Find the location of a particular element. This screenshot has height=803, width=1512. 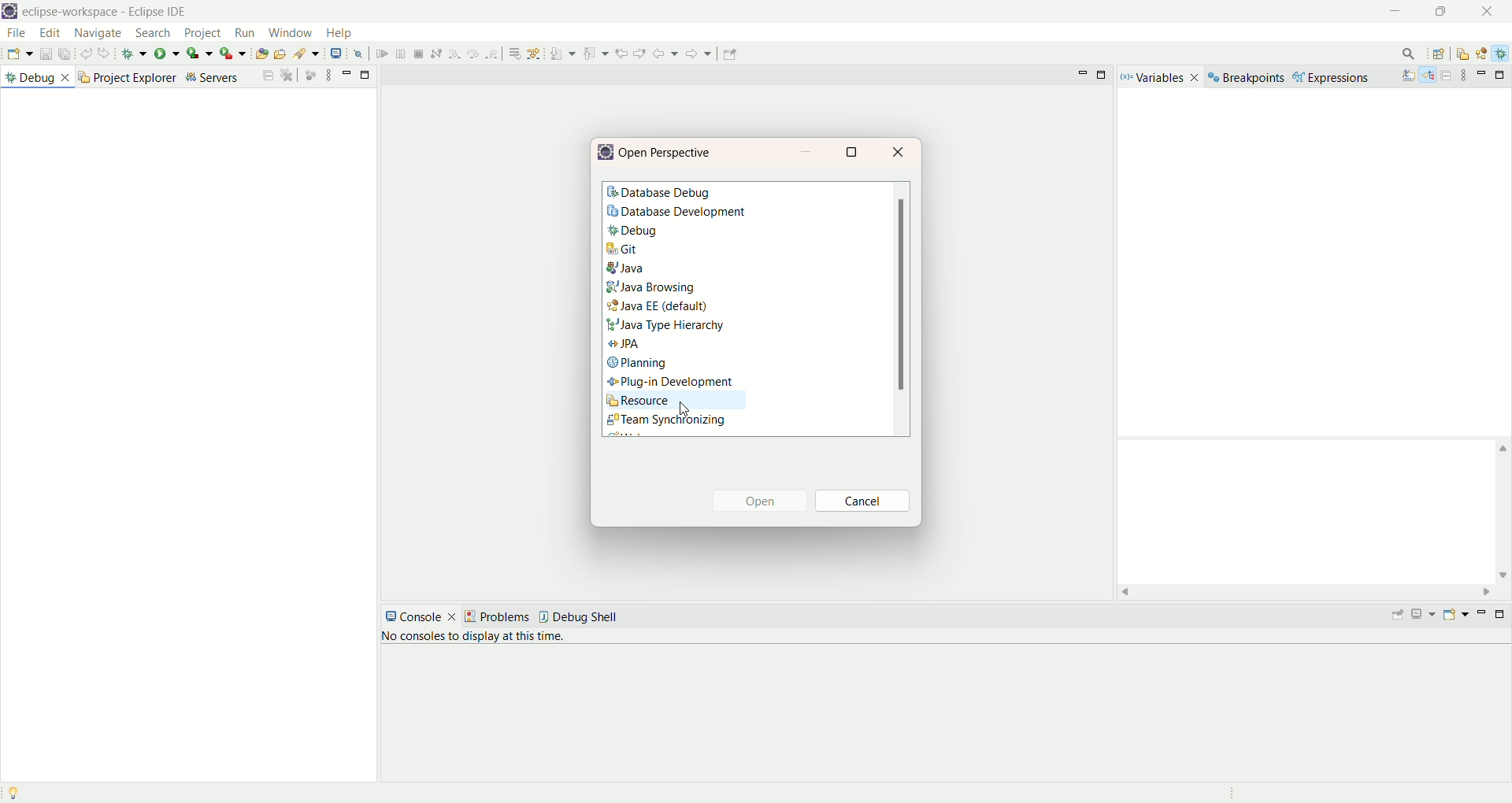

run is located at coordinates (169, 54).